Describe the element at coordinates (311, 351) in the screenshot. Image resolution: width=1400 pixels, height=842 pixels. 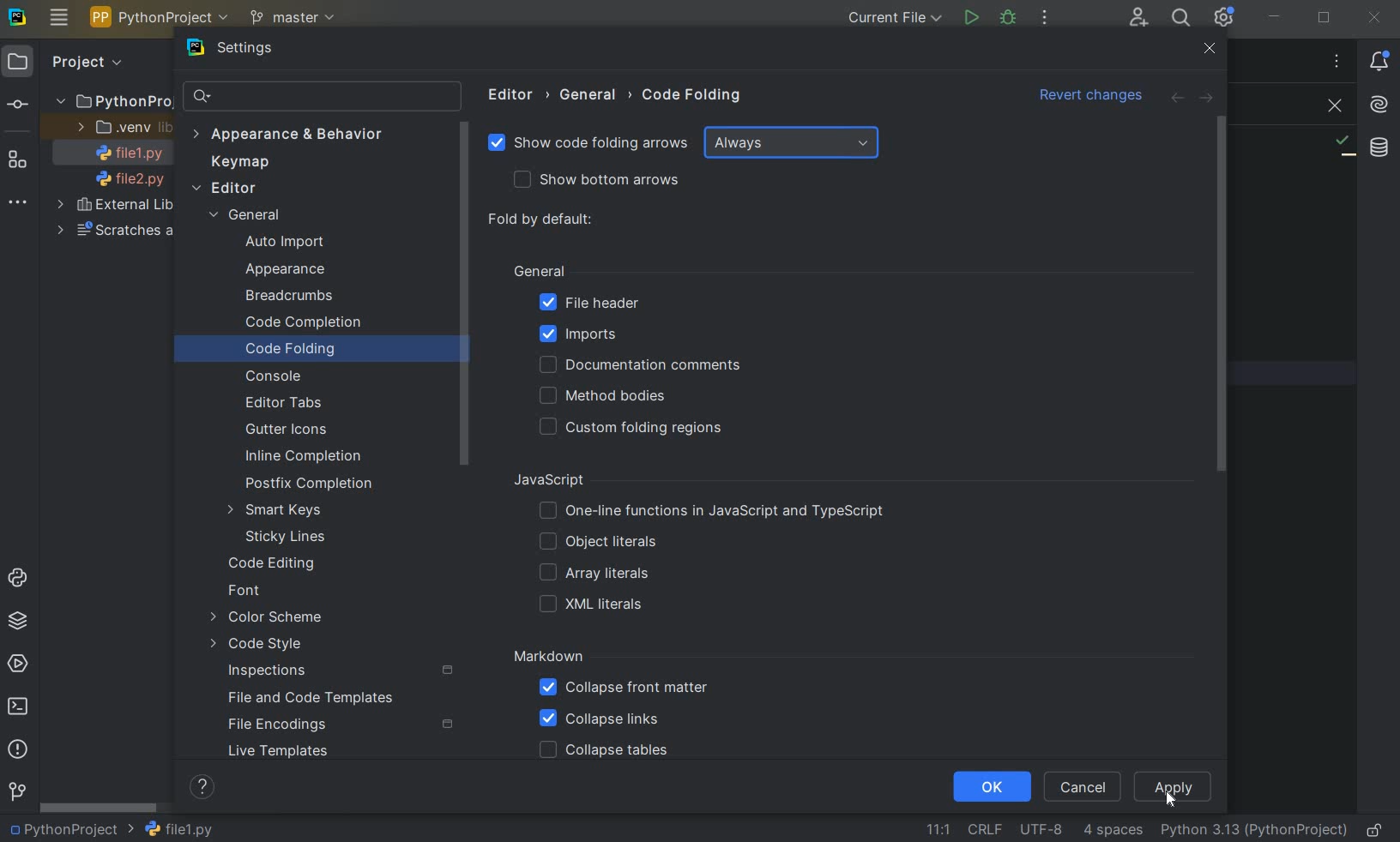
I see `CODE FOLDING` at that location.